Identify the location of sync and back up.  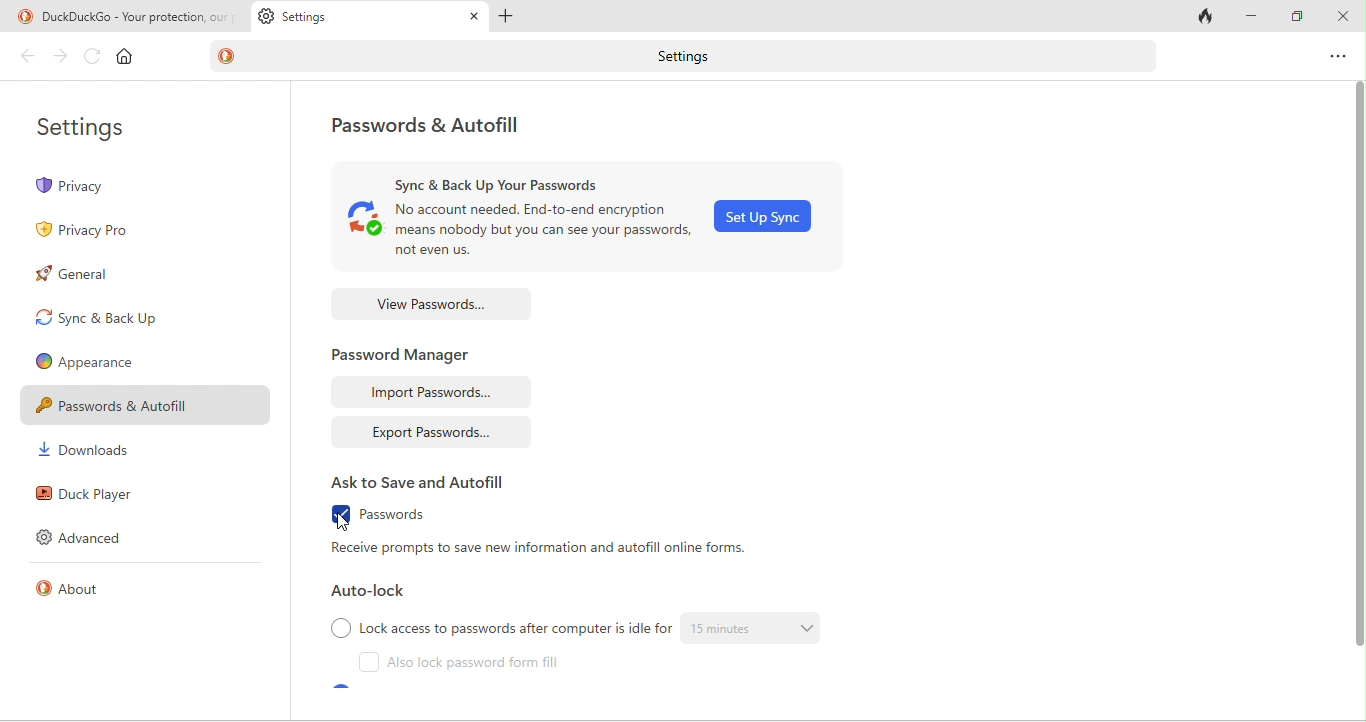
(97, 323).